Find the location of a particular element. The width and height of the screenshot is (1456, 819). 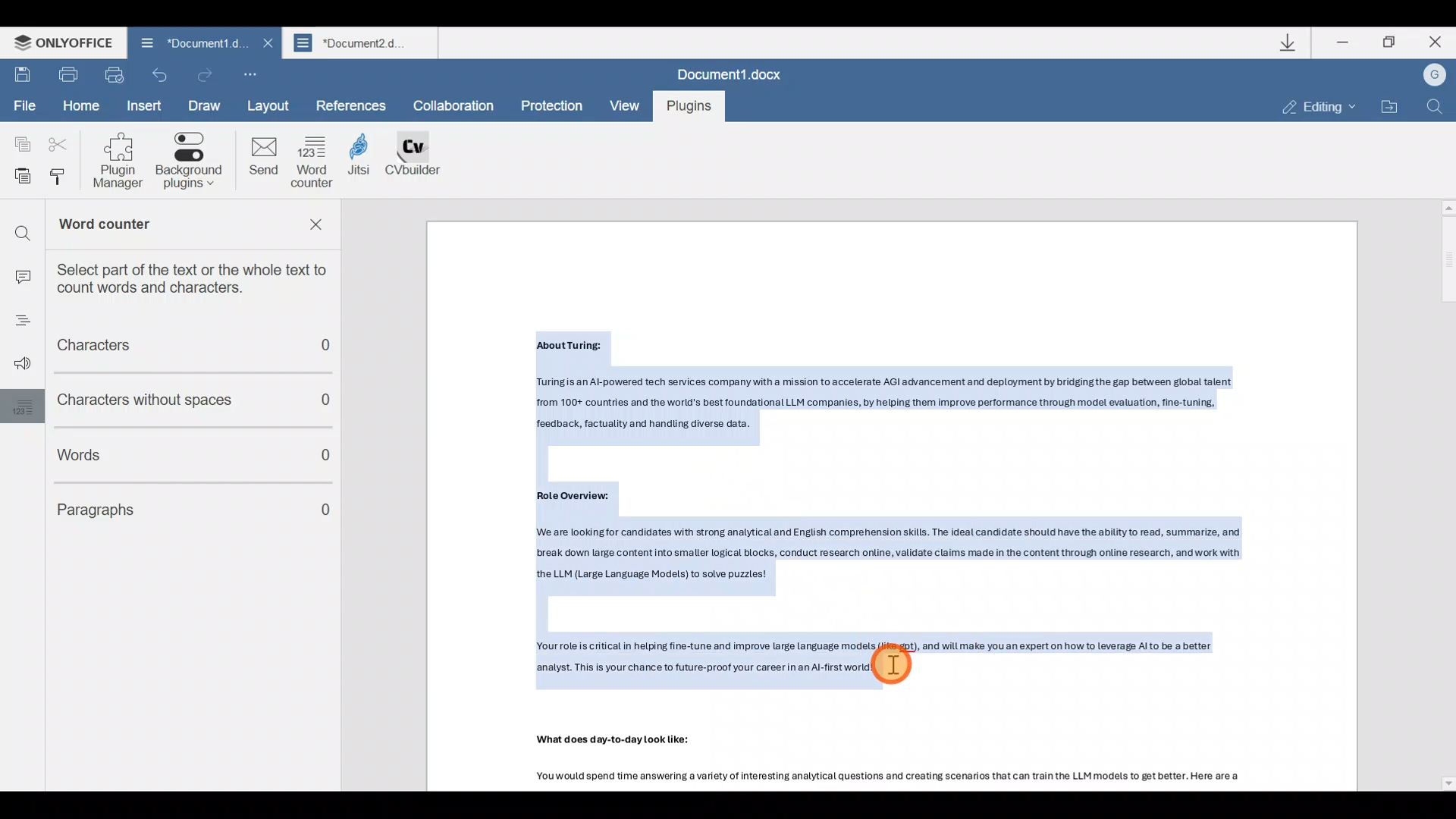

Copy style is located at coordinates (64, 180).